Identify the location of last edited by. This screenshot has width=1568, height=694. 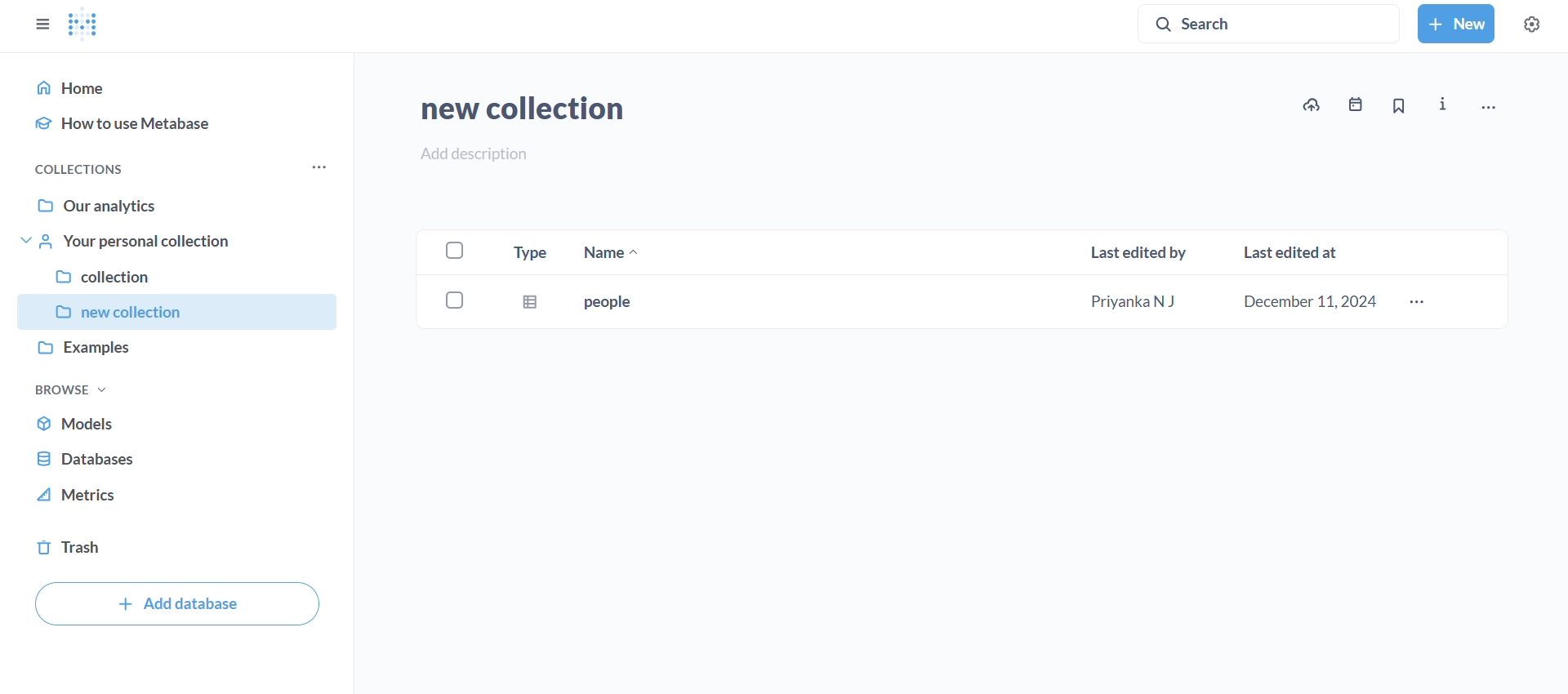
(1138, 251).